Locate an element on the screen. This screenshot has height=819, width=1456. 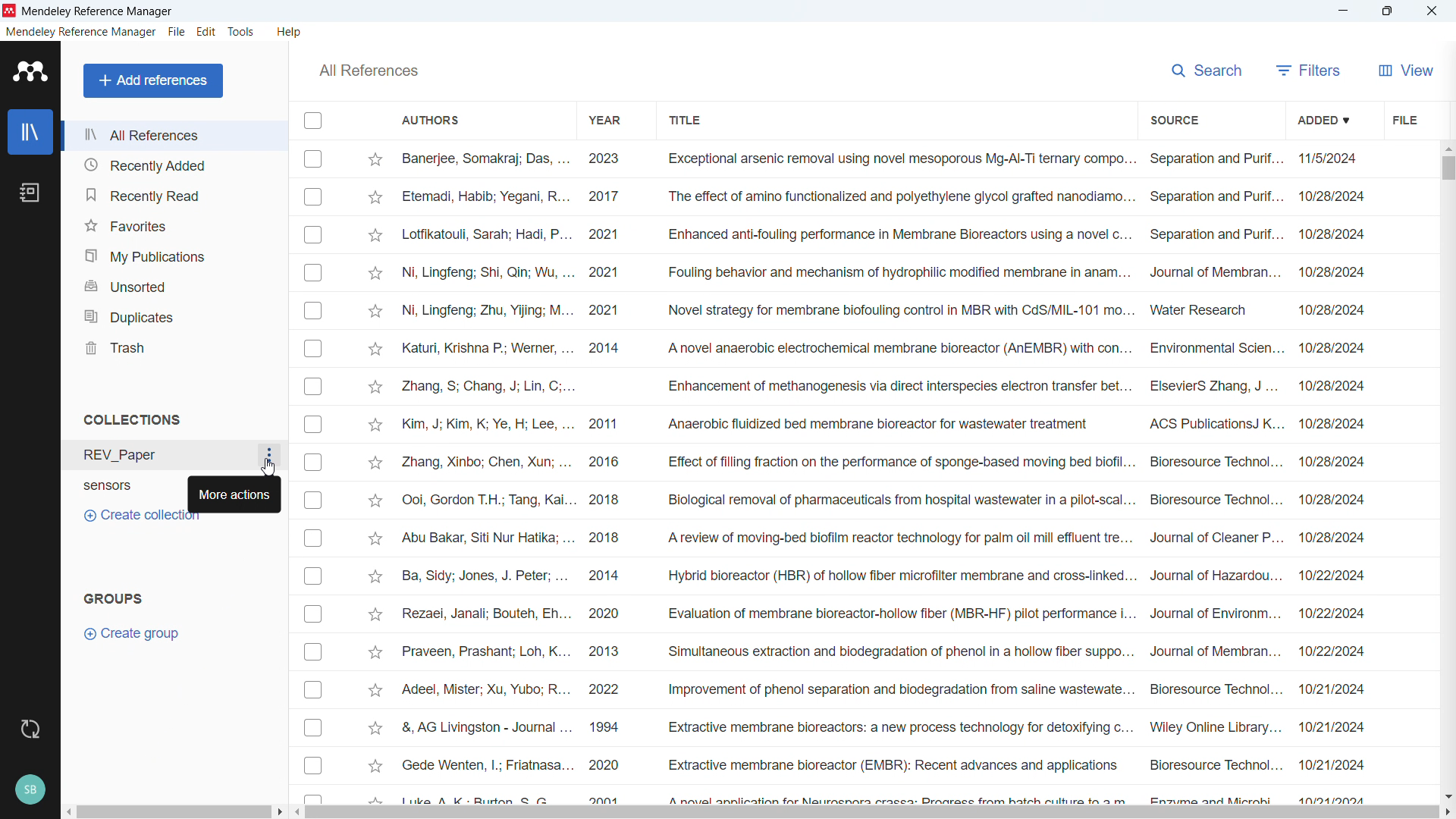
Unsorted  is located at coordinates (173, 285).